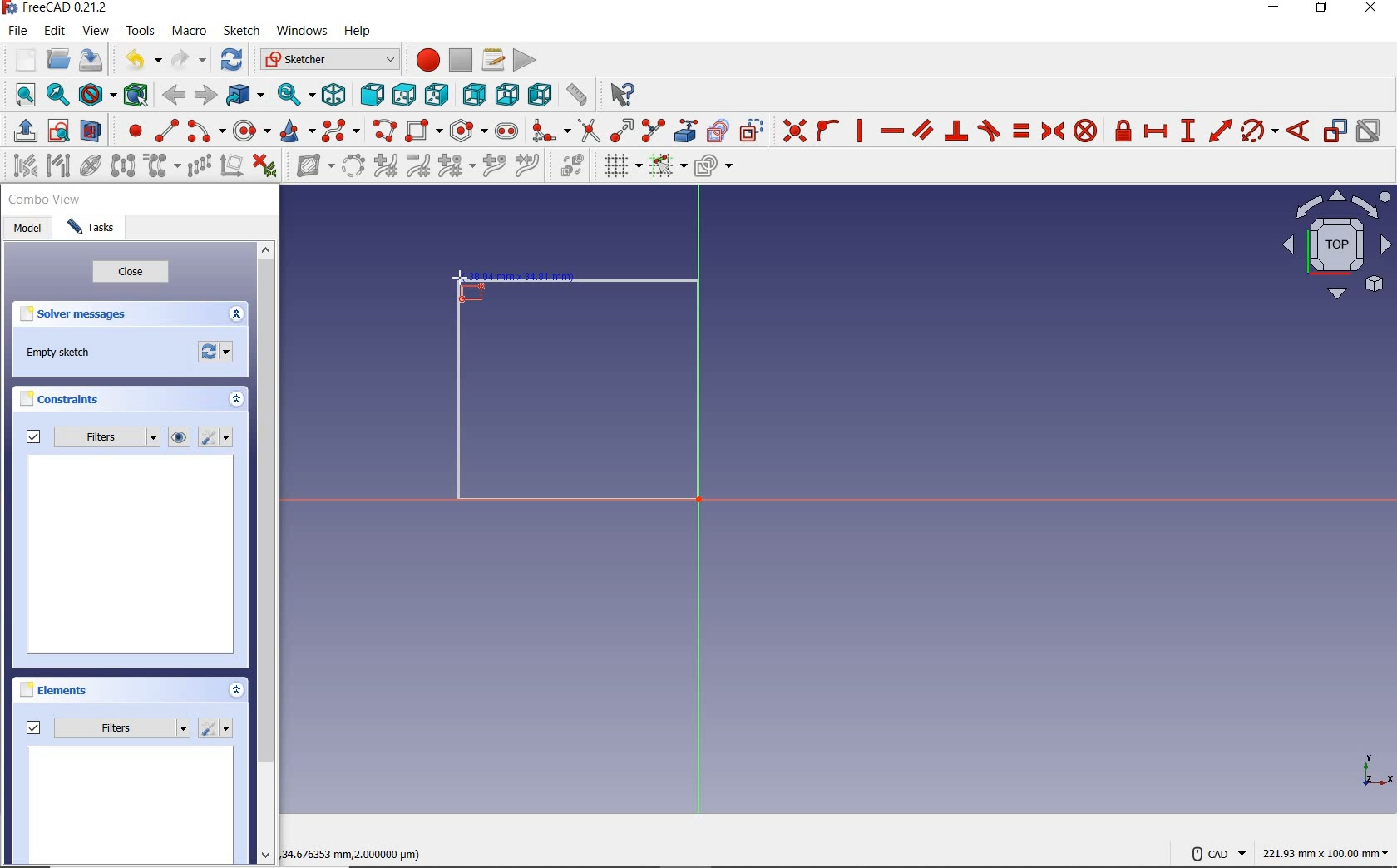  Describe the element at coordinates (20, 57) in the screenshot. I see `new` at that location.